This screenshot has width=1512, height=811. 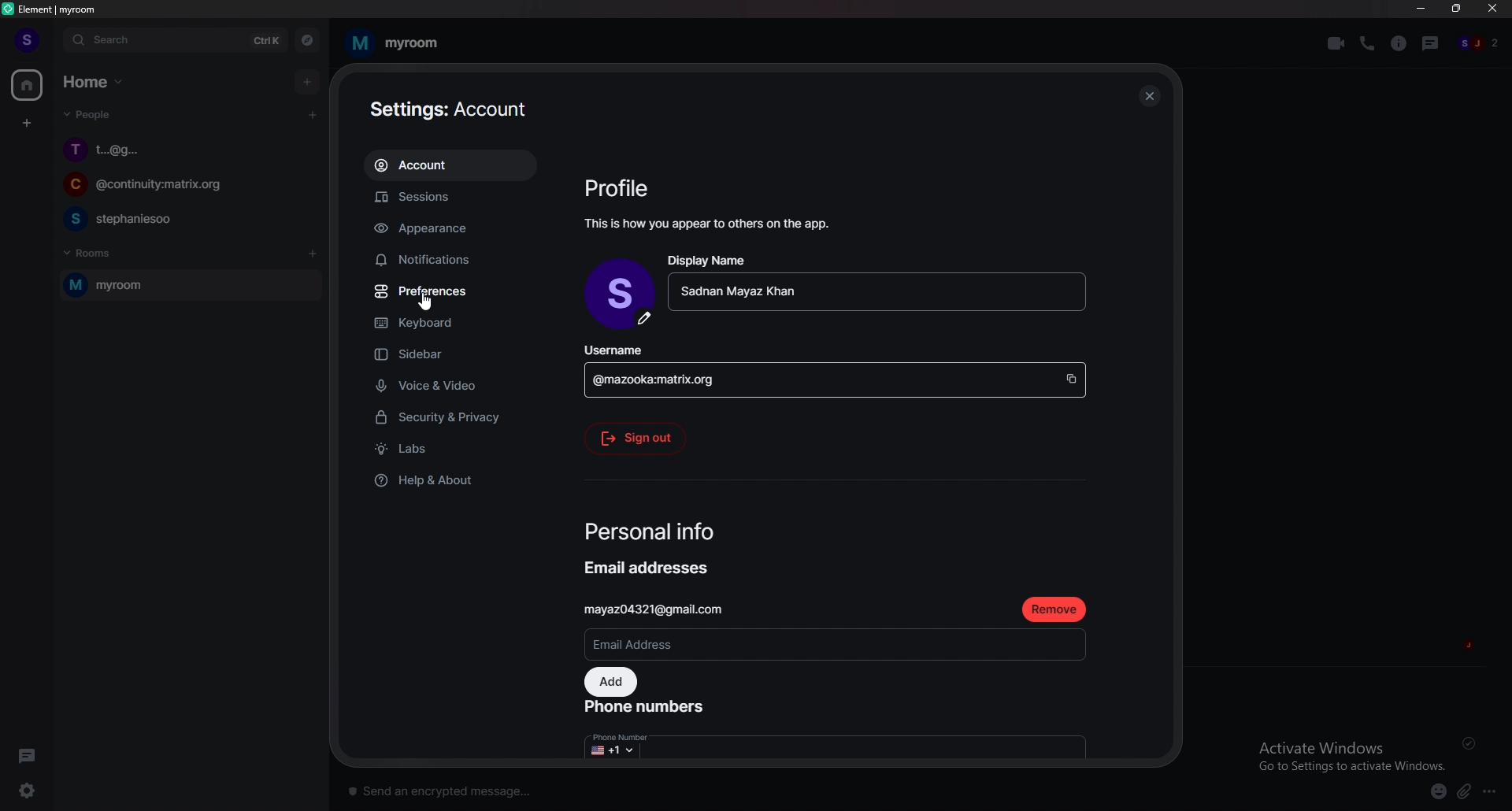 I want to click on Activate Windows, so click(x=1346, y=754).